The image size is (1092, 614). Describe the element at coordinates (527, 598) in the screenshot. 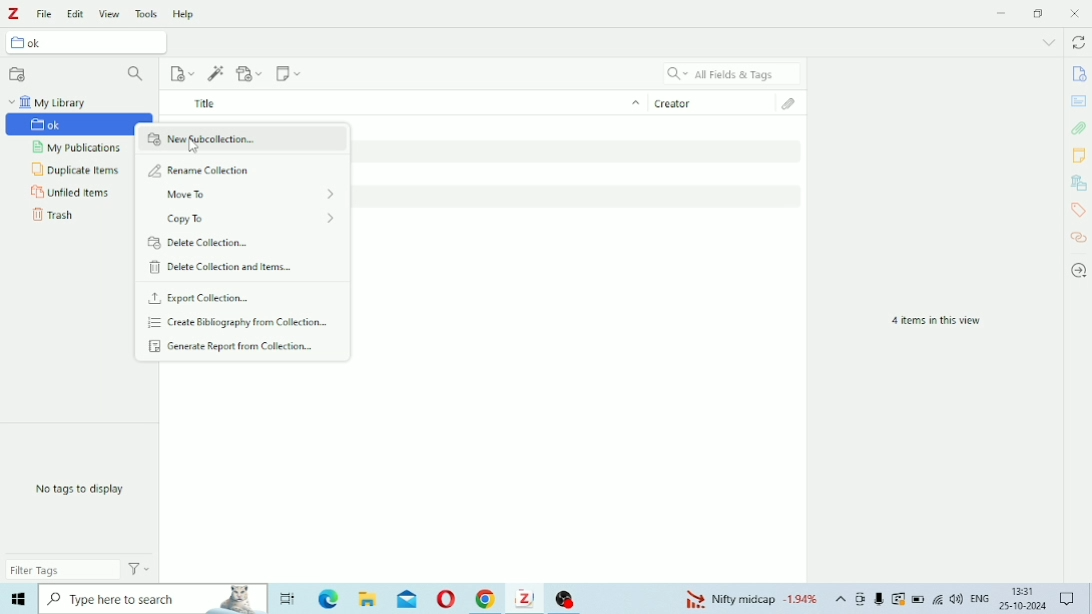

I see `Zotero` at that location.